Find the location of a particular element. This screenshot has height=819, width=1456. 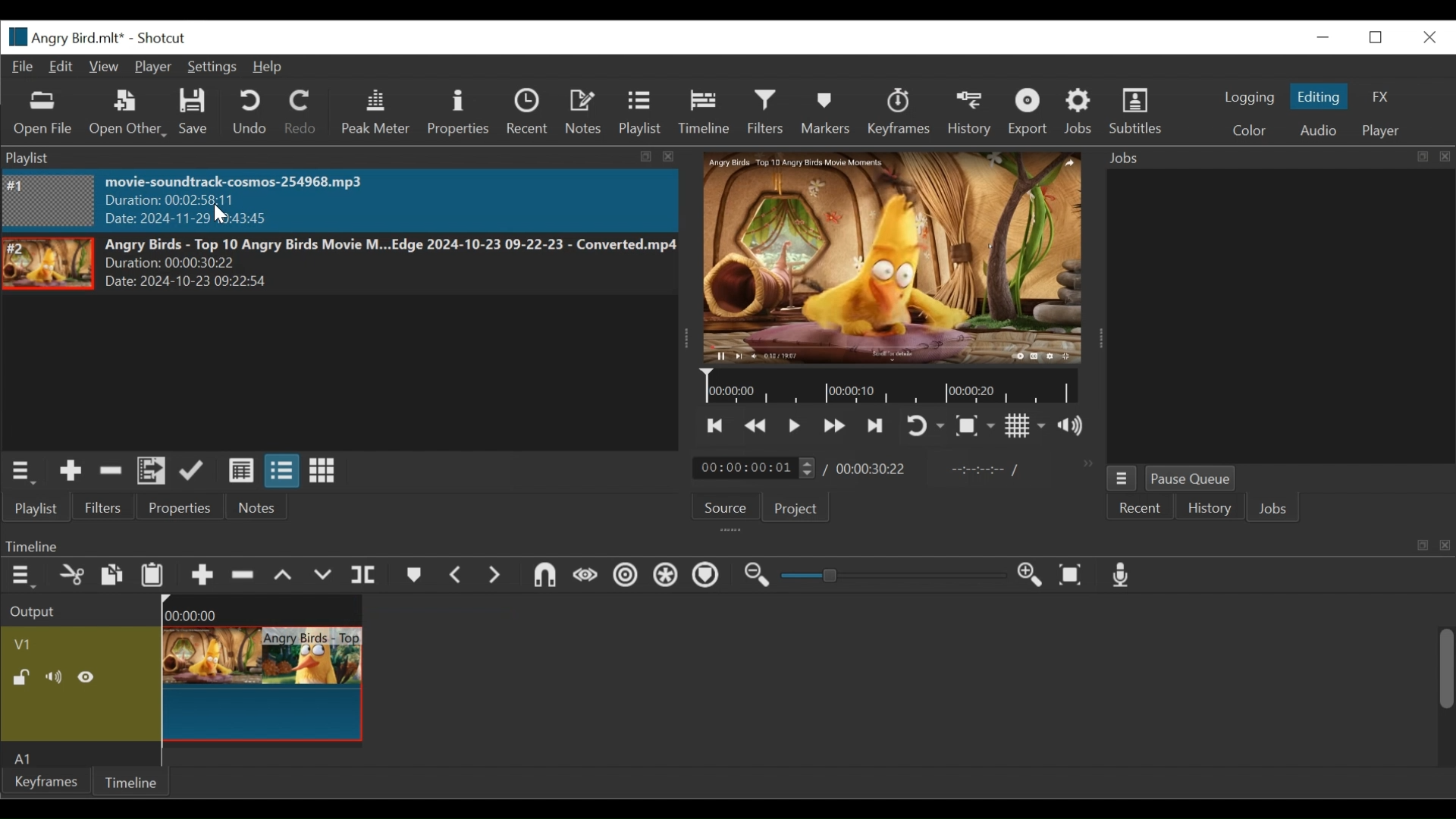

Timeline is located at coordinates (135, 781).